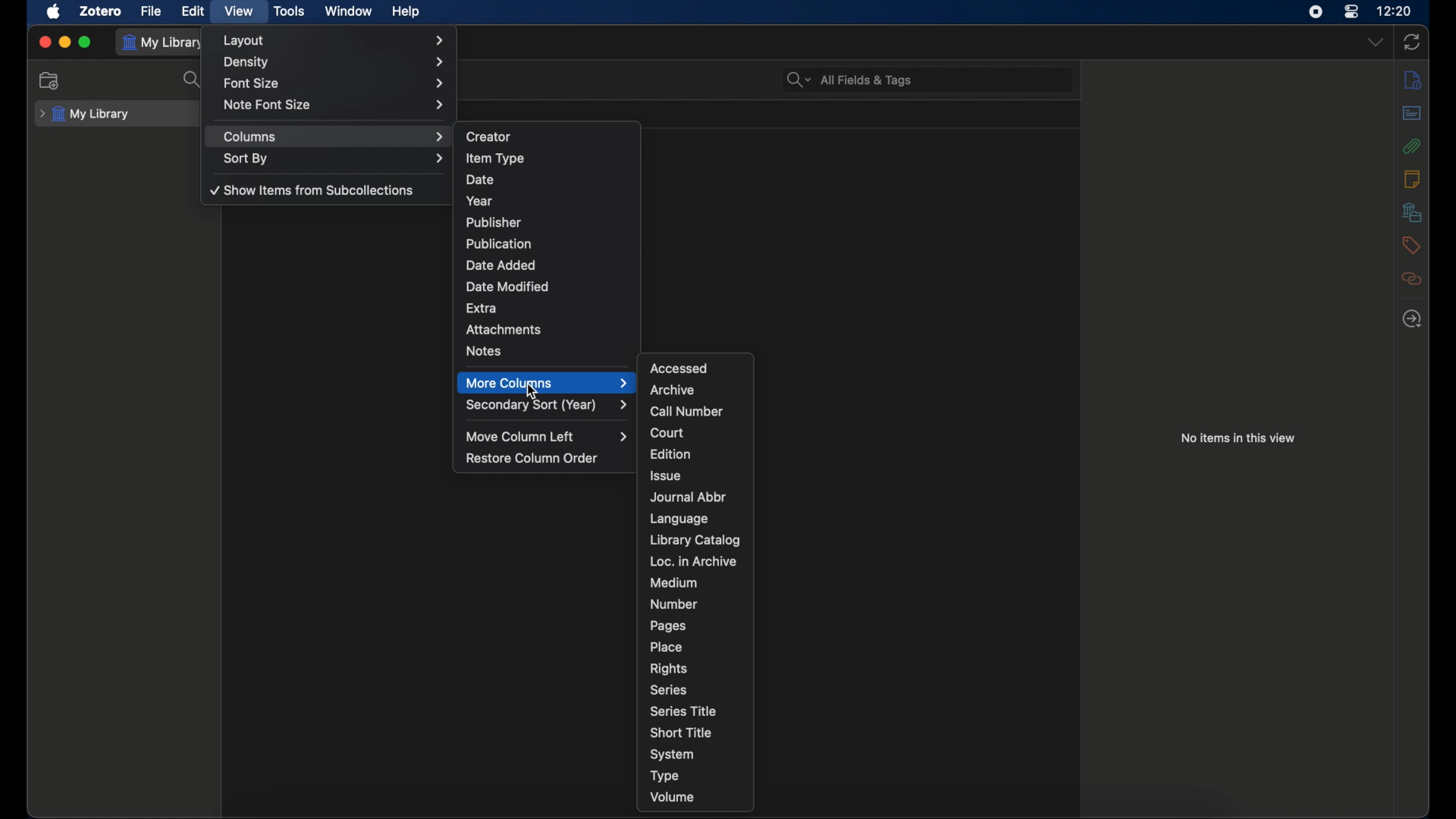 This screenshot has width=1456, height=819. What do you see at coordinates (194, 11) in the screenshot?
I see `edit` at bounding box center [194, 11].